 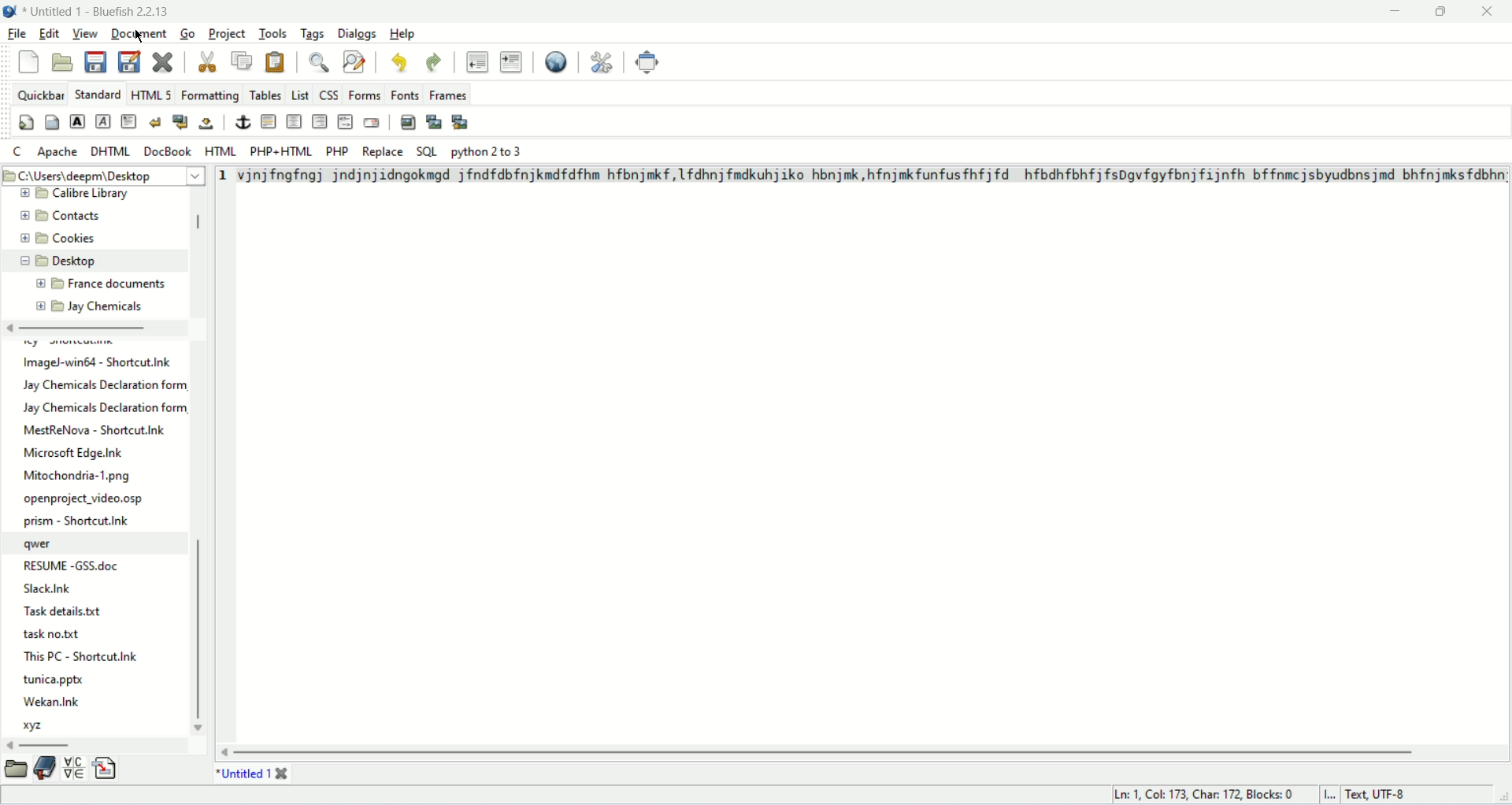 What do you see at coordinates (276, 60) in the screenshot?
I see `paste` at bounding box center [276, 60].